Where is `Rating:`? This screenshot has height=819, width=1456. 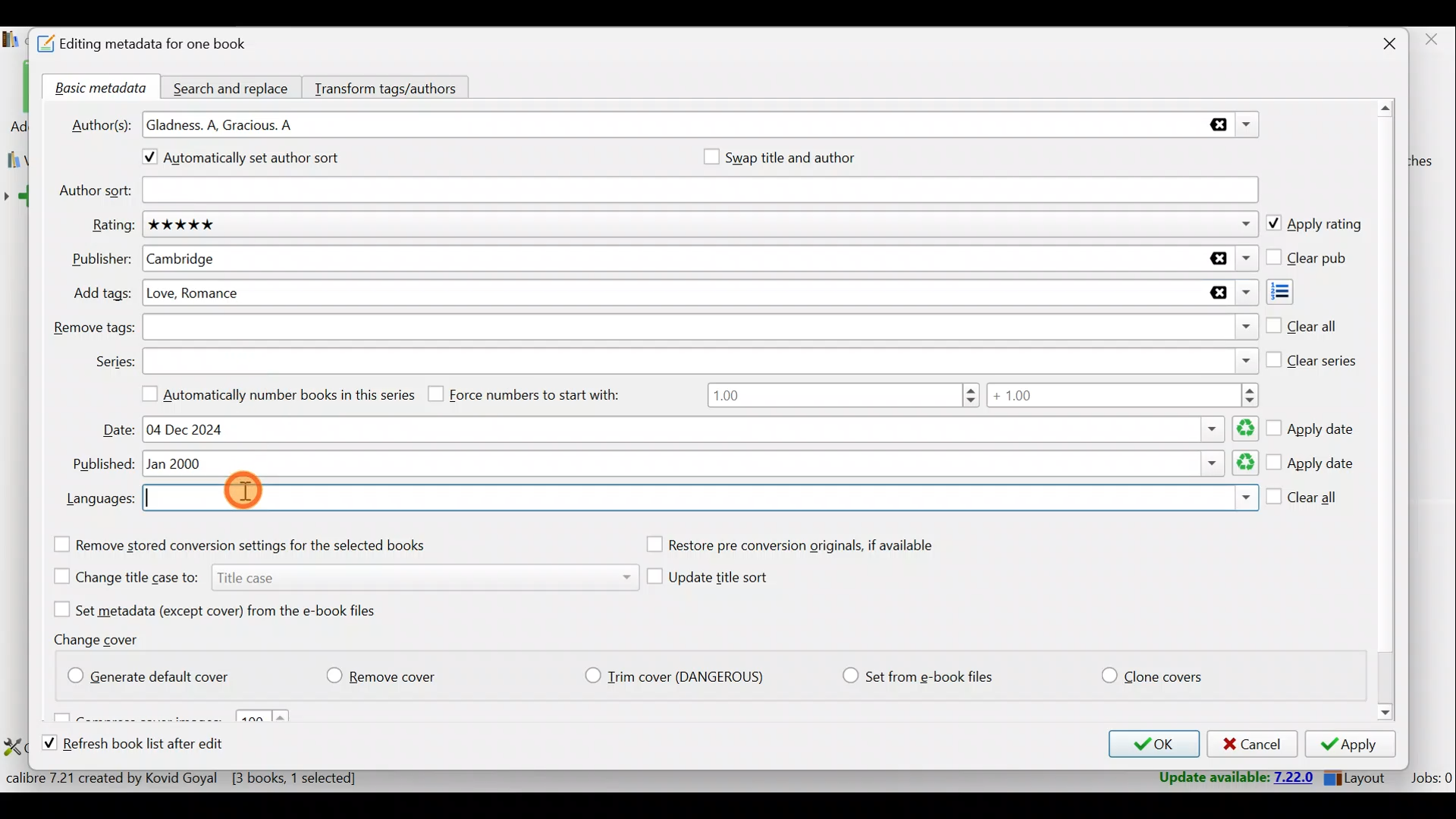 Rating: is located at coordinates (112, 225).